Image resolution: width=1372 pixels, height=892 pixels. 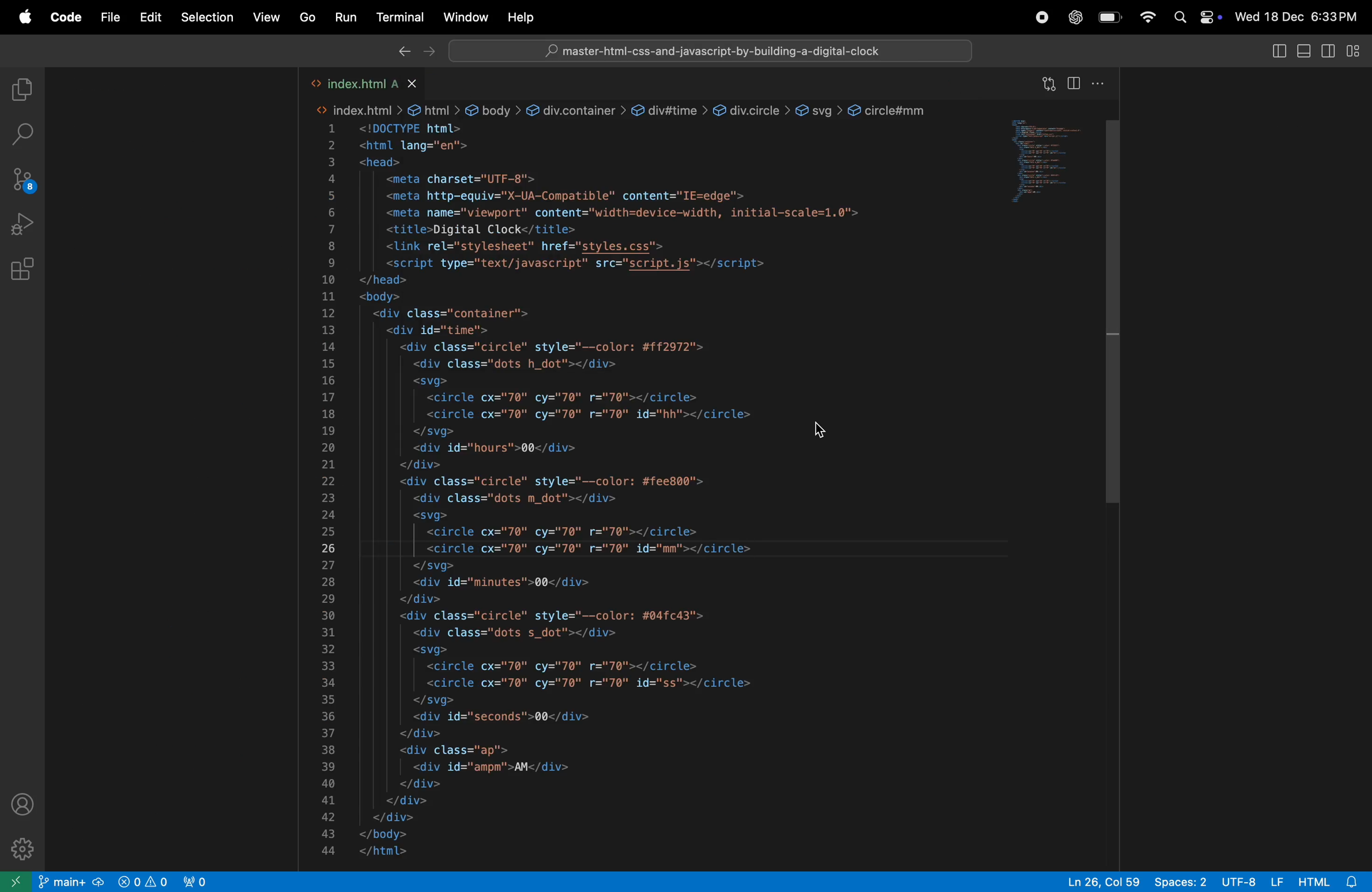 I want to click on scrollbar, so click(x=1114, y=309).